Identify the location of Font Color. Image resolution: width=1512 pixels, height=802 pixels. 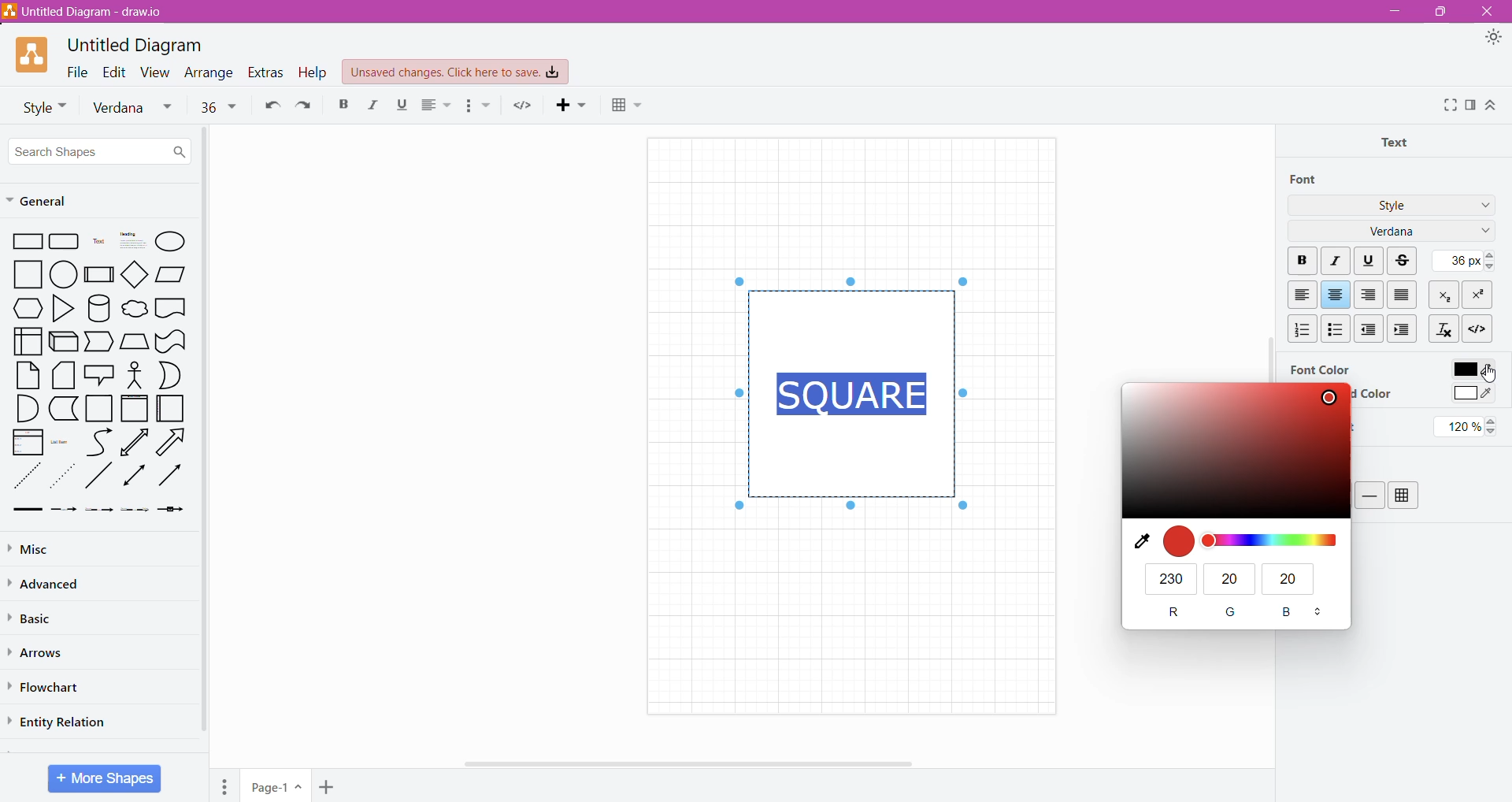
(1319, 369).